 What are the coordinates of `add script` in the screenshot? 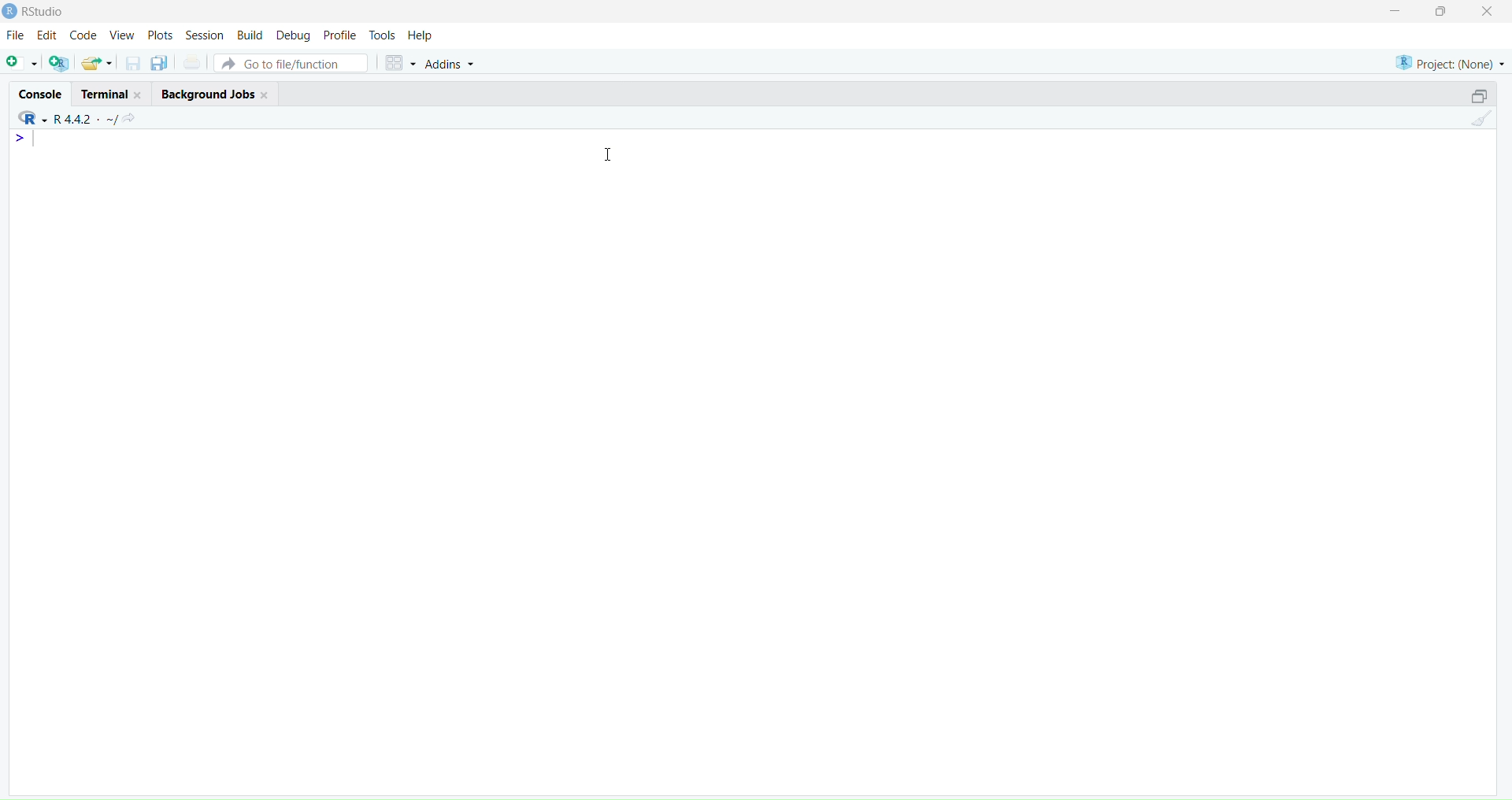 It's located at (20, 64).